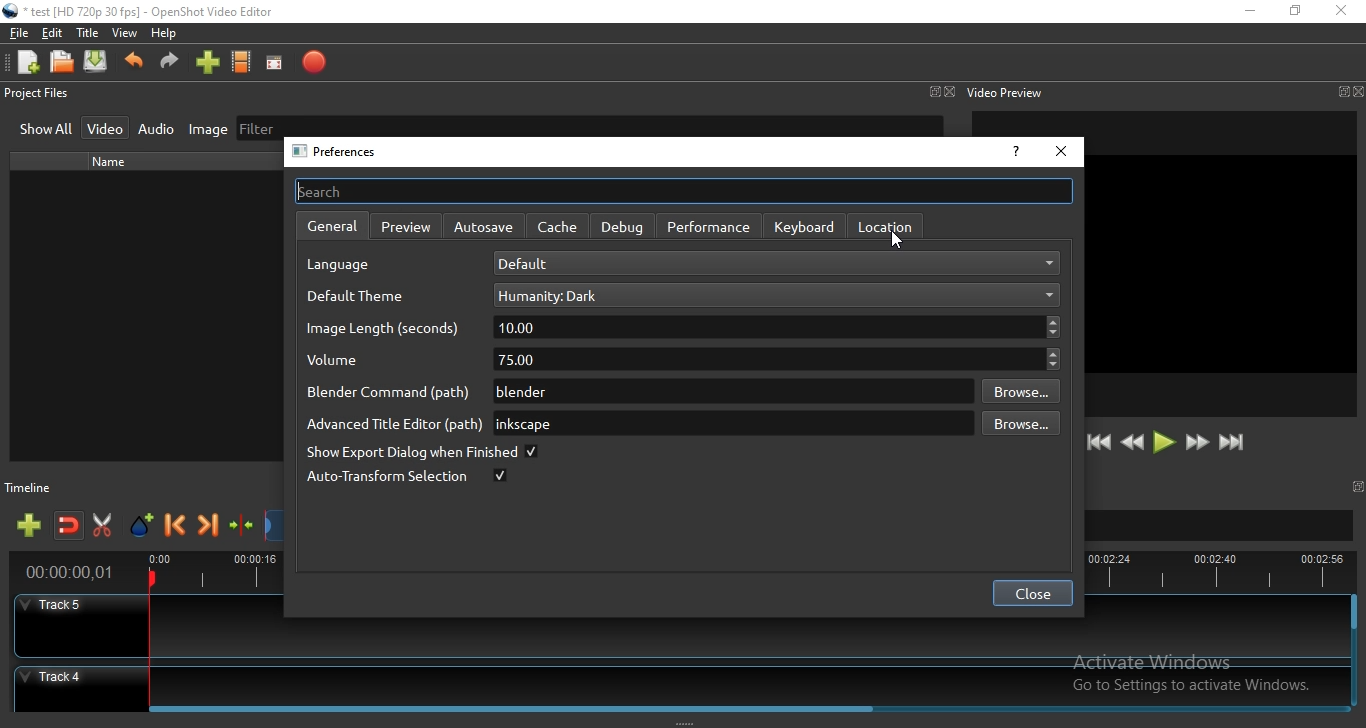  What do you see at coordinates (25, 62) in the screenshot?
I see `New project` at bounding box center [25, 62].